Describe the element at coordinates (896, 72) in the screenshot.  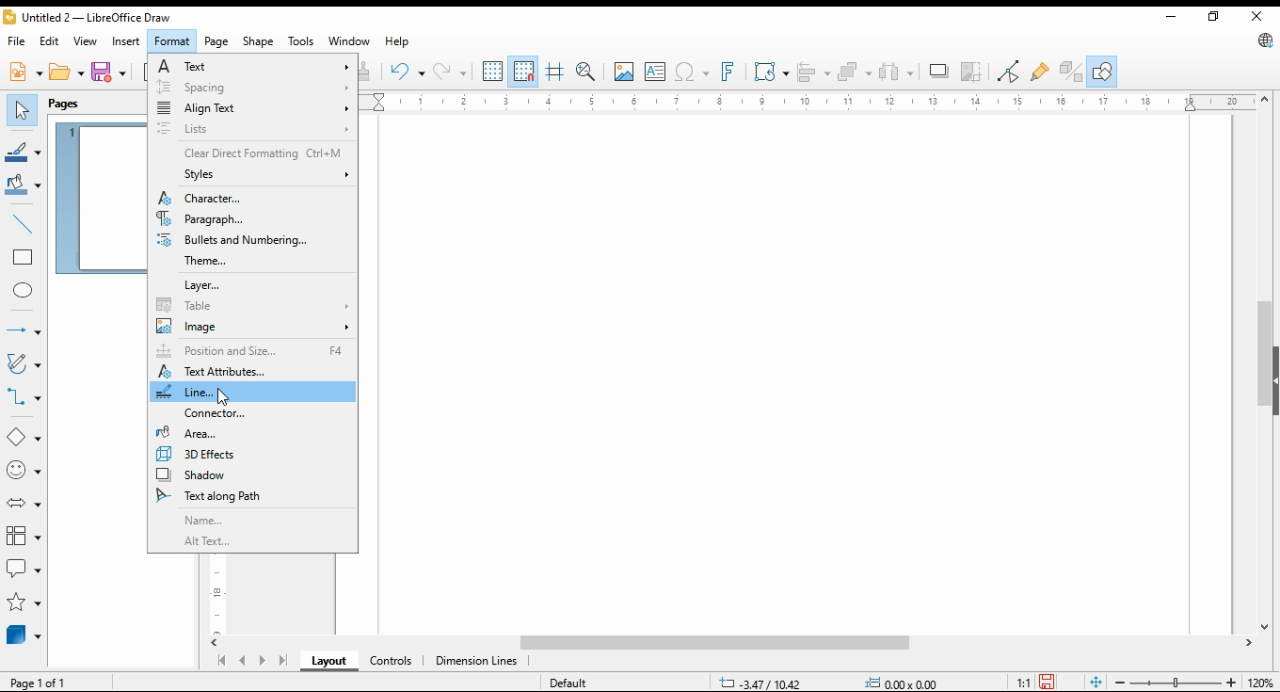
I see `select at least three objects to distribute` at that location.